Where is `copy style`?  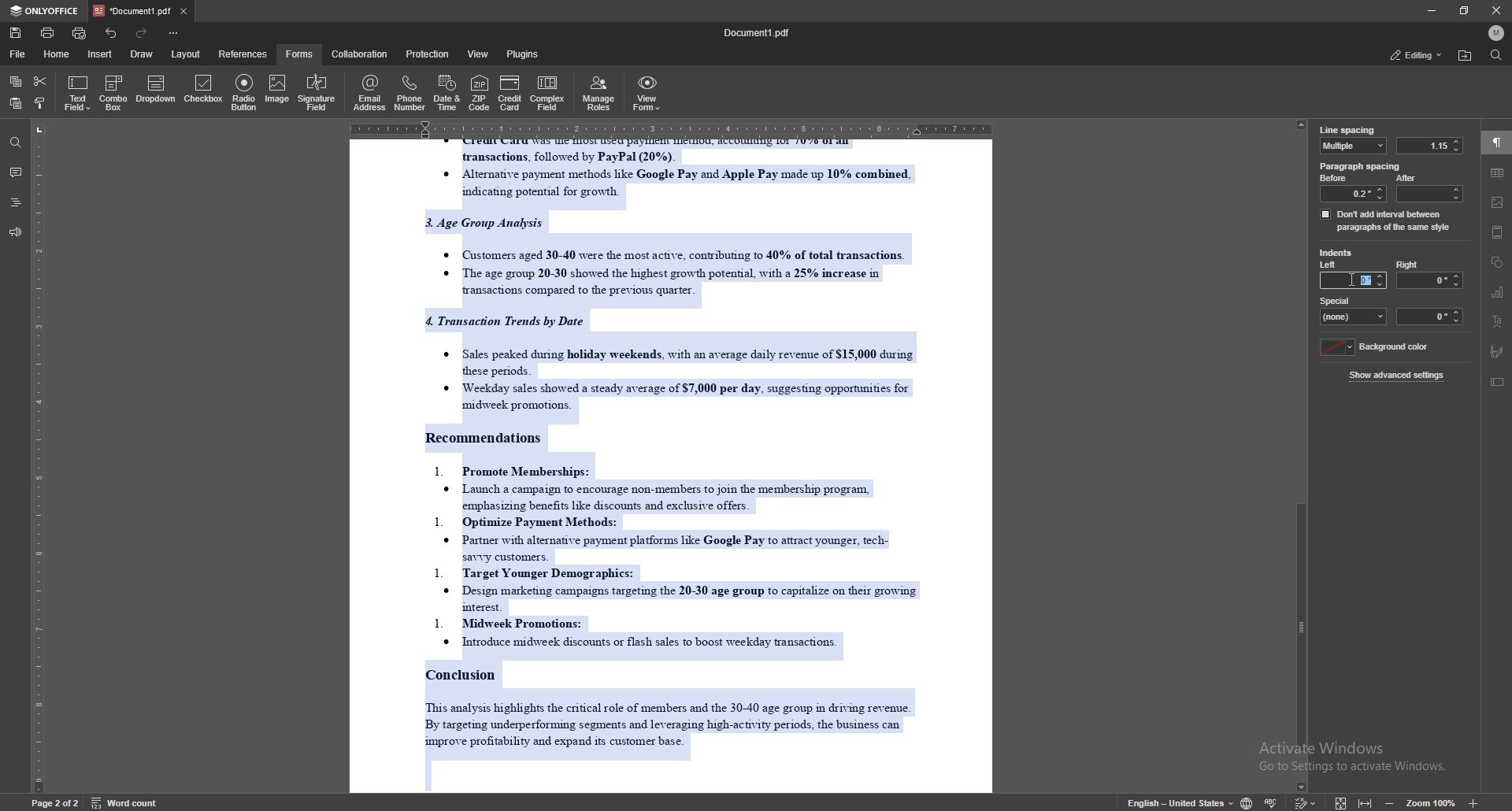 copy style is located at coordinates (42, 105).